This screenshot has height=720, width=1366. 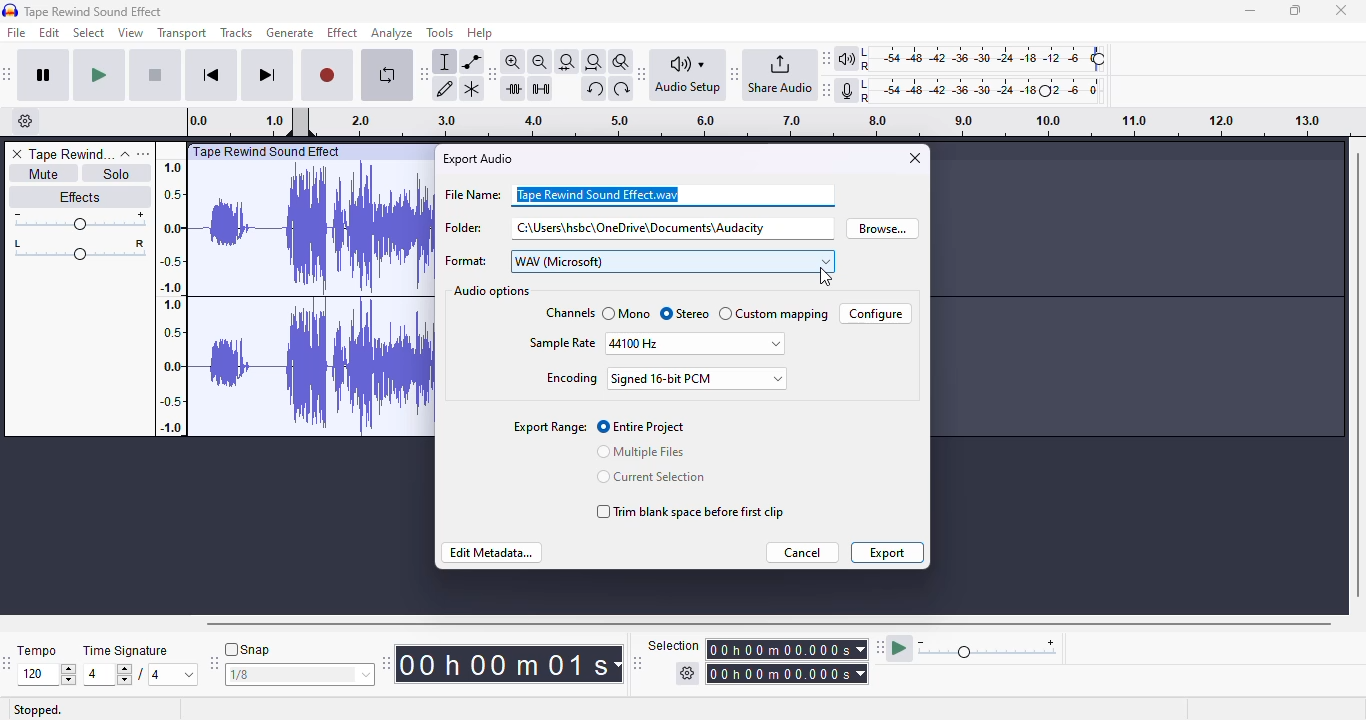 I want to click on effects, so click(x=80, y=196).